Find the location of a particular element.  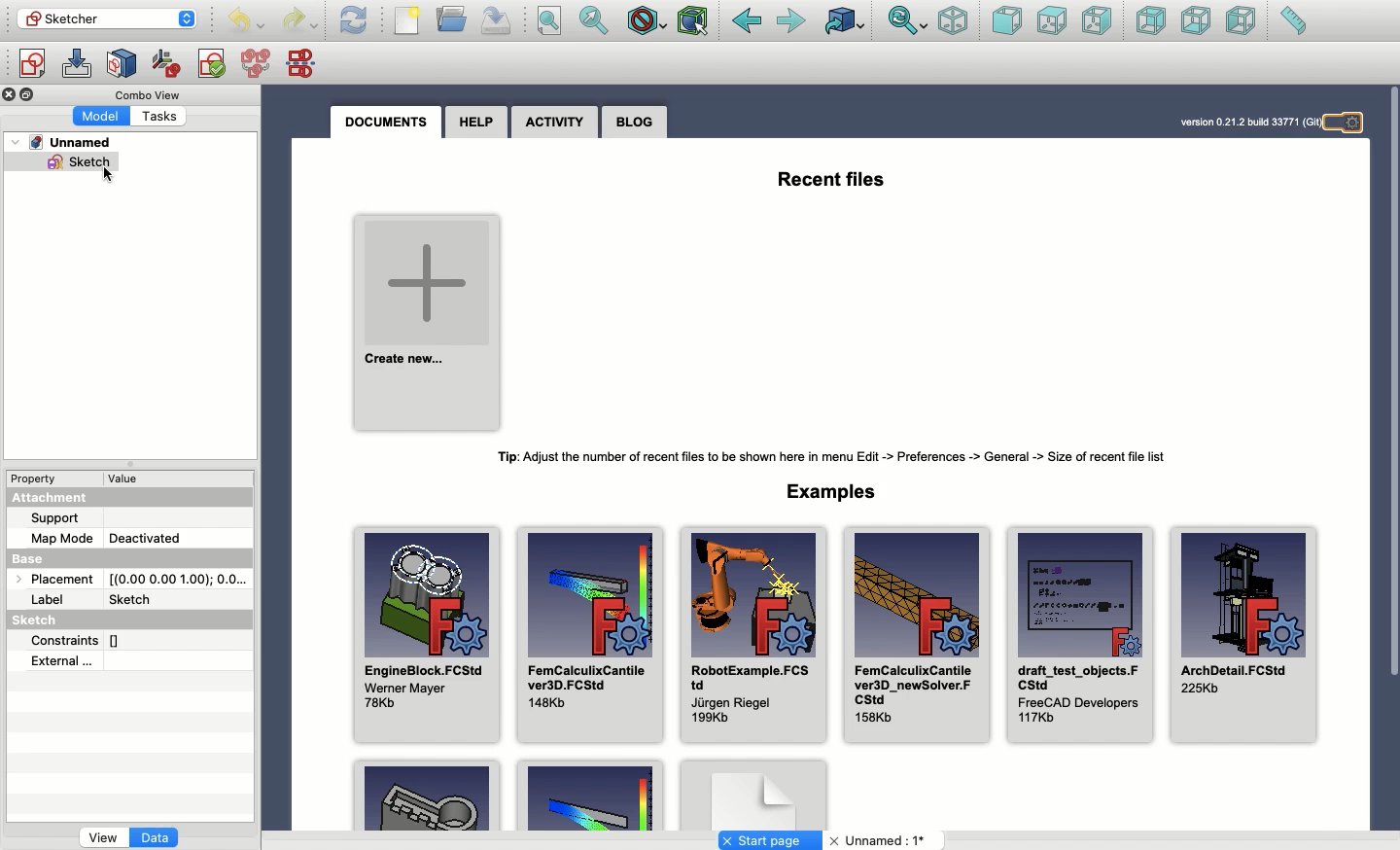

Reorient sketch is located at coordinates (167, 64).